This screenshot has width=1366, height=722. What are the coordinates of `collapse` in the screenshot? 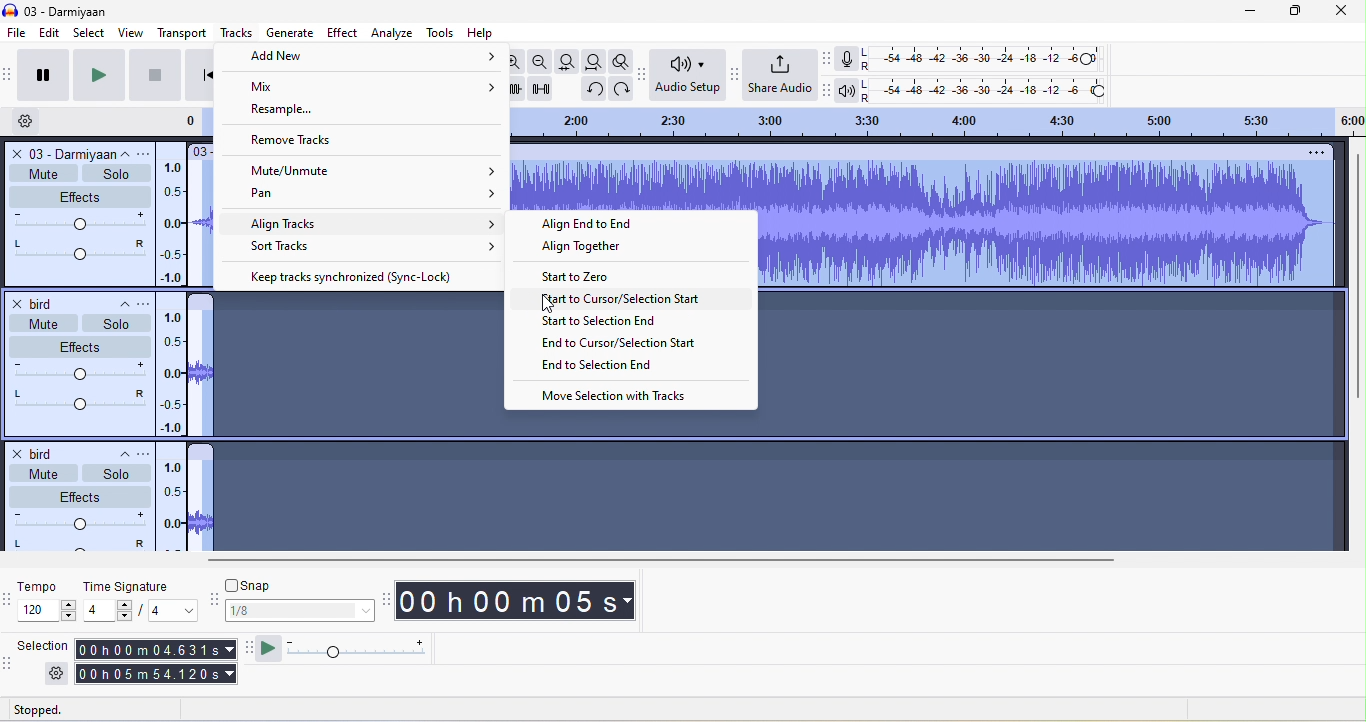 It's located at (117, 301).